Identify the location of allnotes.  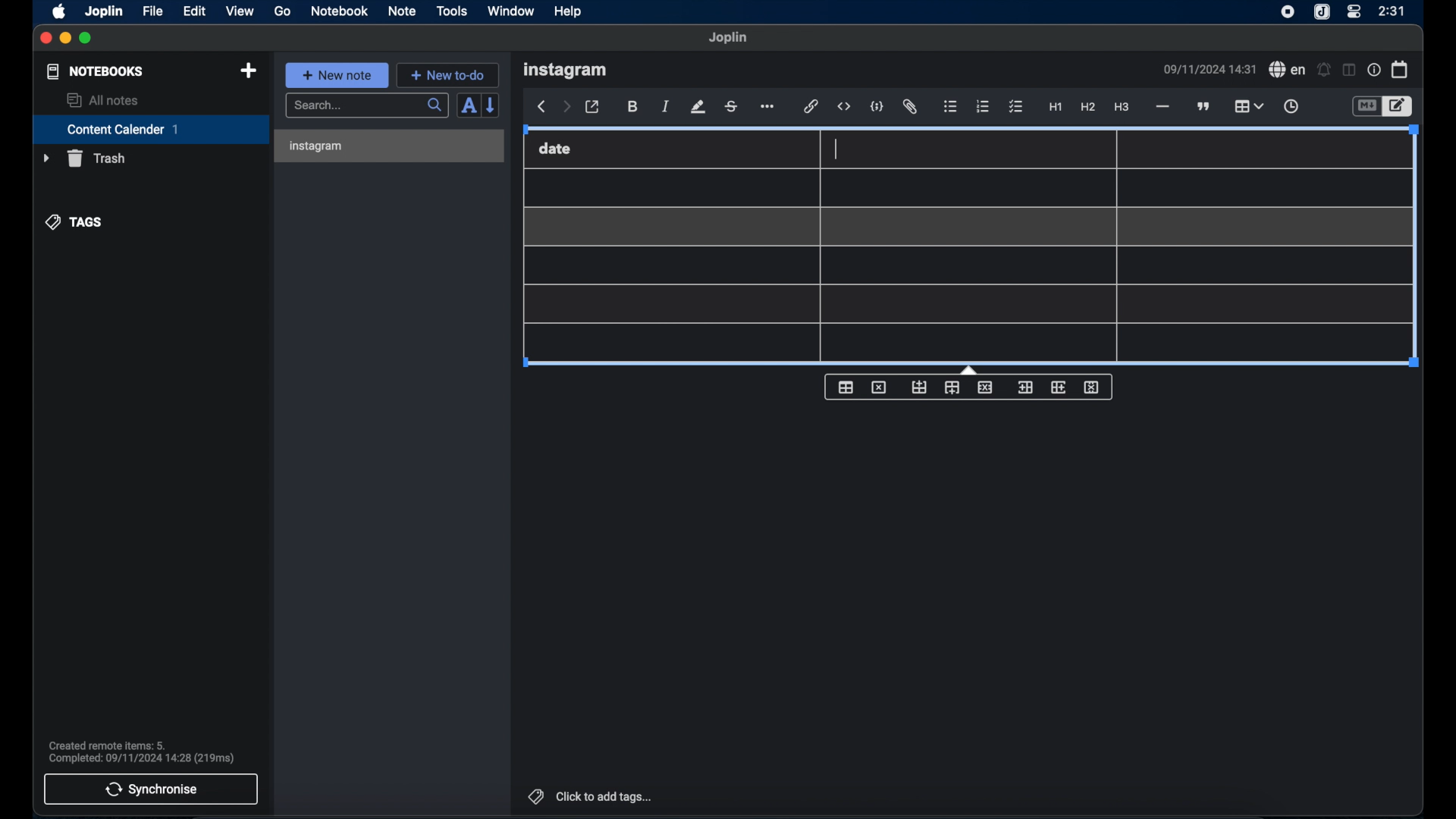
(104, 100).